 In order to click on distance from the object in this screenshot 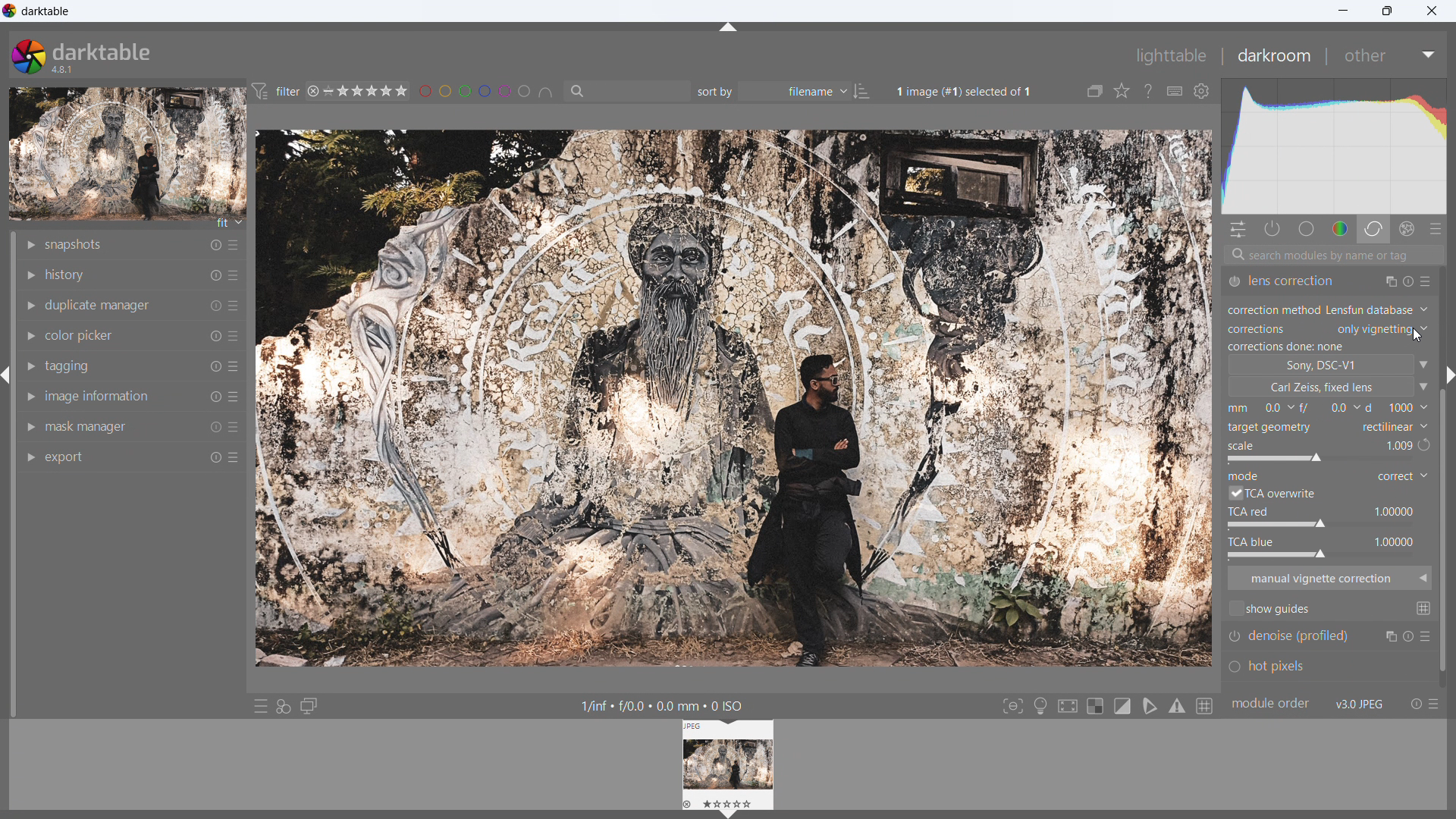, I will do `click(1329, 409)`.